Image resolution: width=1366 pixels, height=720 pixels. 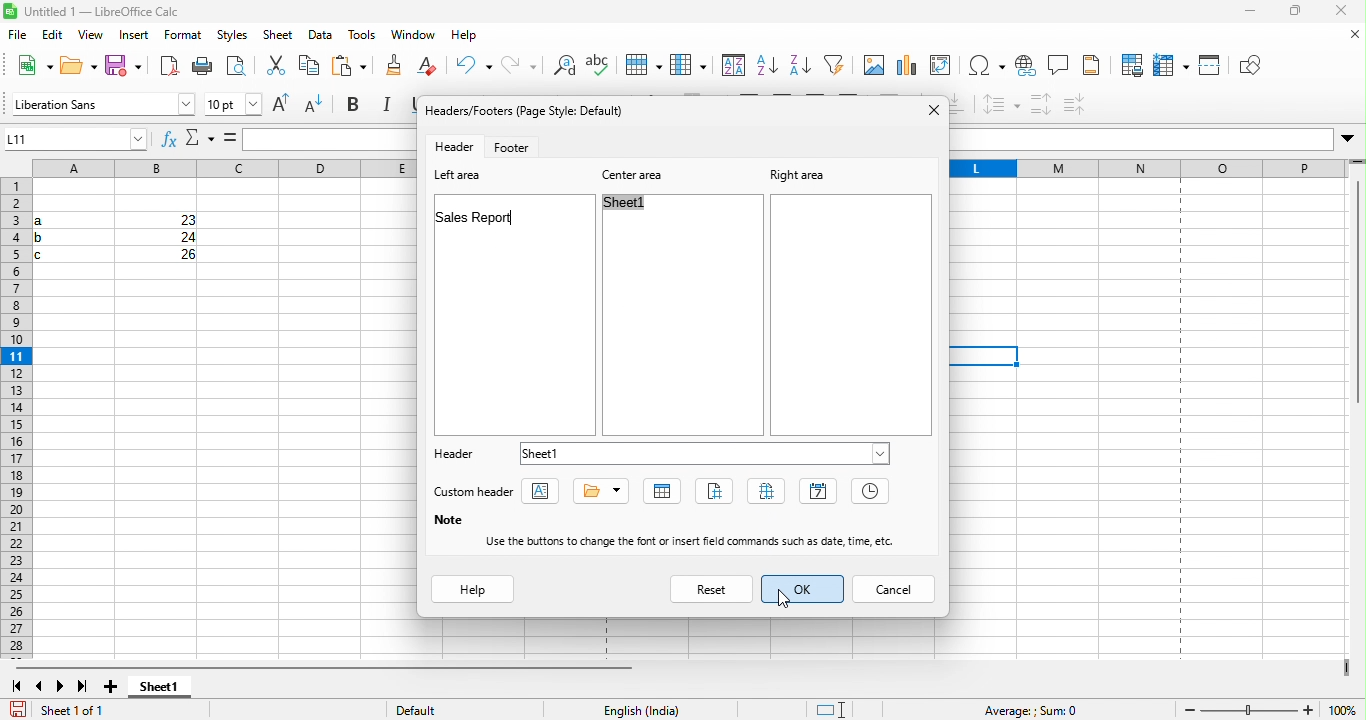 What do you see at coordinates (599, 65) in the screenshot?
I see `row` at bounding box center [599, 65].